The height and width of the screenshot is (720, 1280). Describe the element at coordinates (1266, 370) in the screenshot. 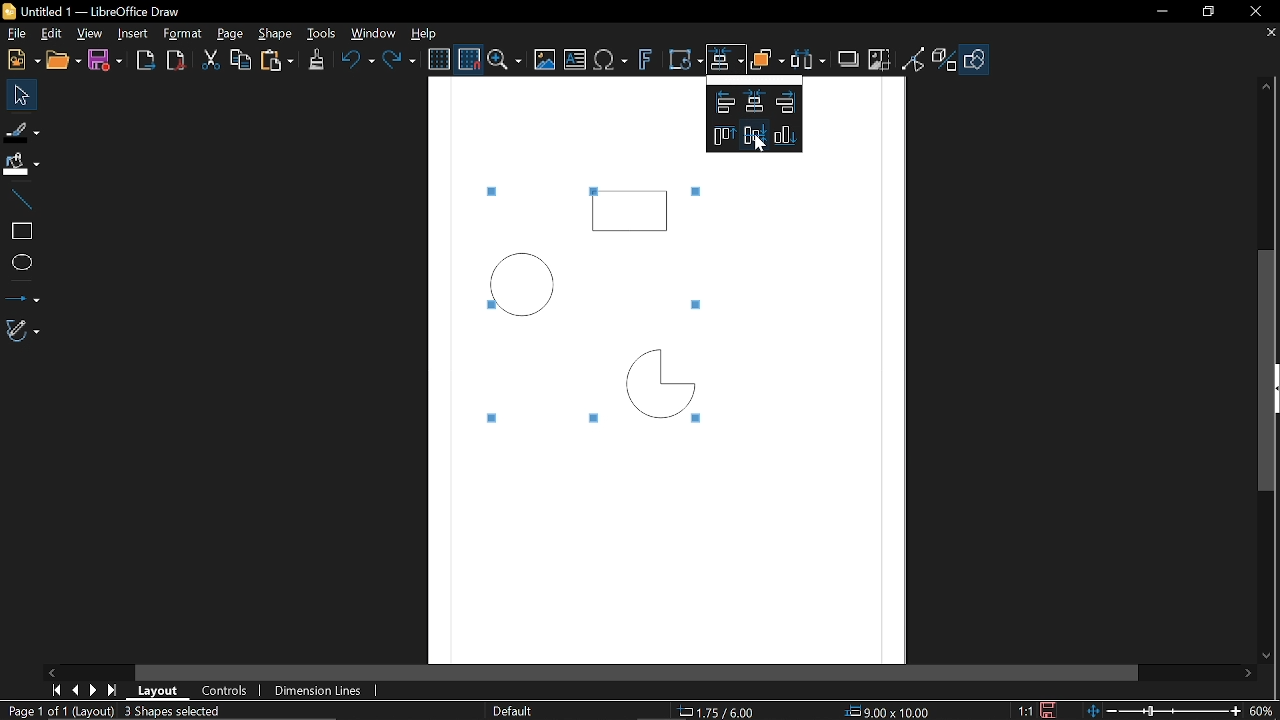

I see `Vertical scrollbar` at that location.